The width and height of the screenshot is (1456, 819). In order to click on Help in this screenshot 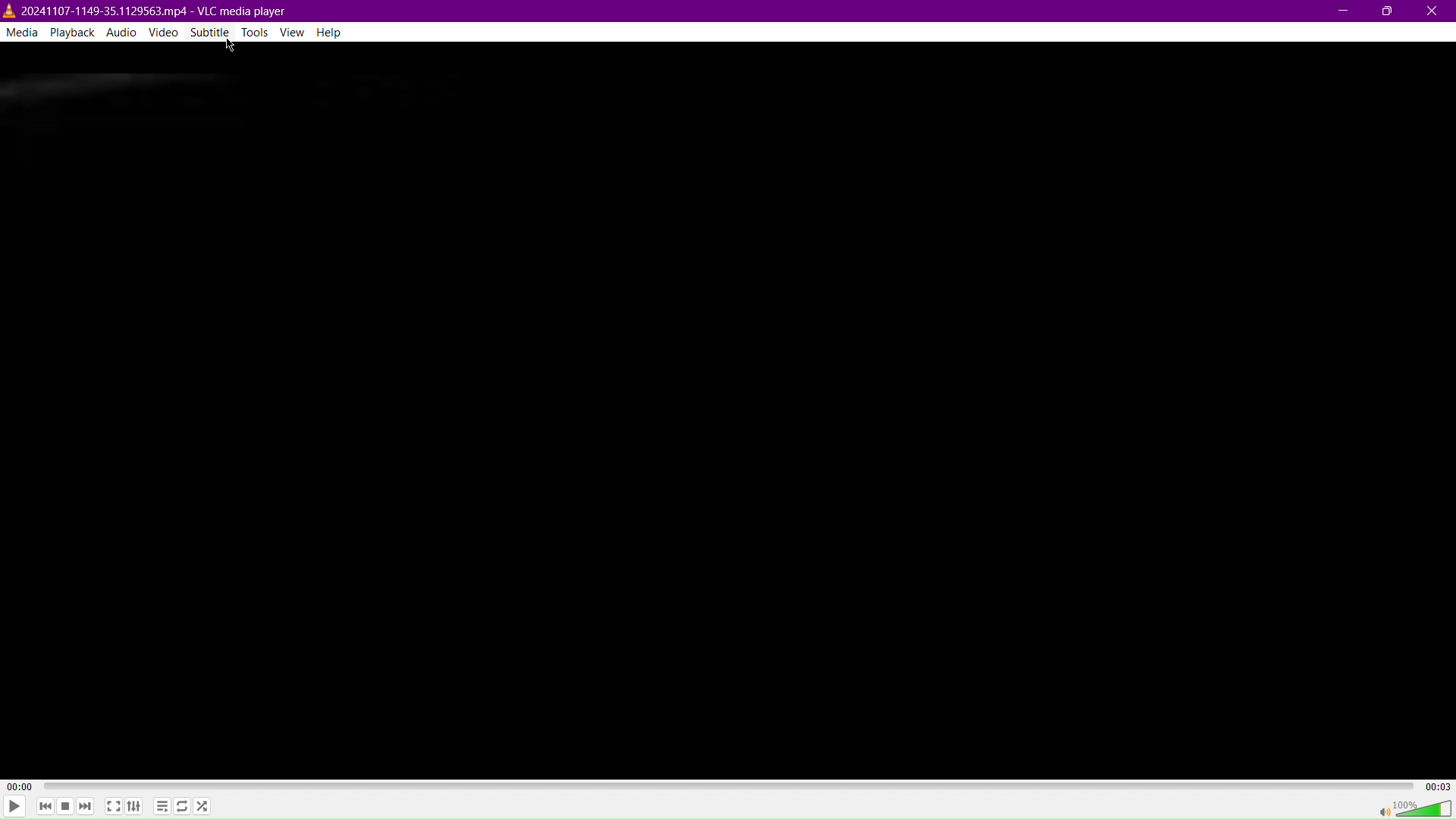, I will do `click(335, 33)`.